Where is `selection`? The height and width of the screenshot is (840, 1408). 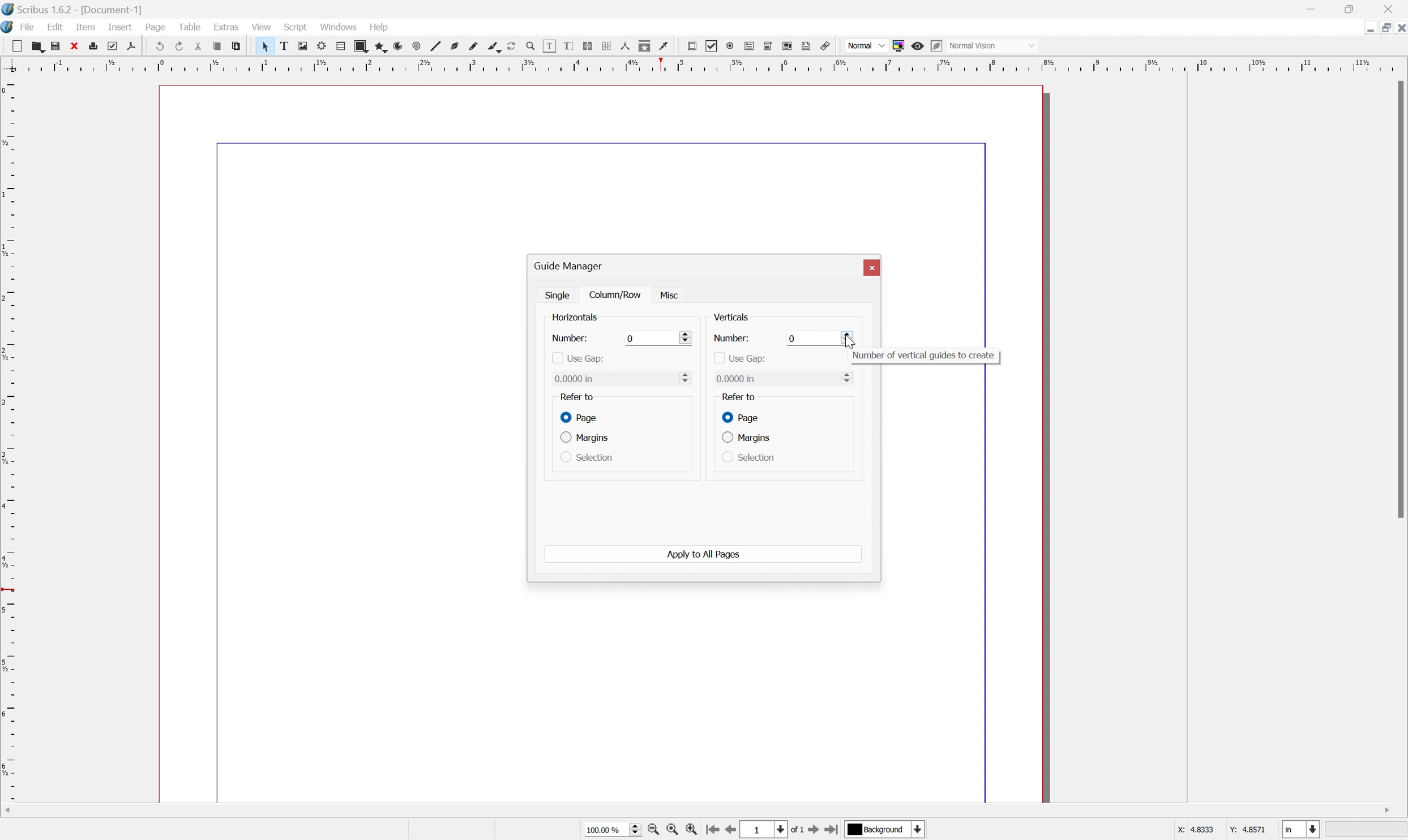
selection is located at coordinates (748, 456).